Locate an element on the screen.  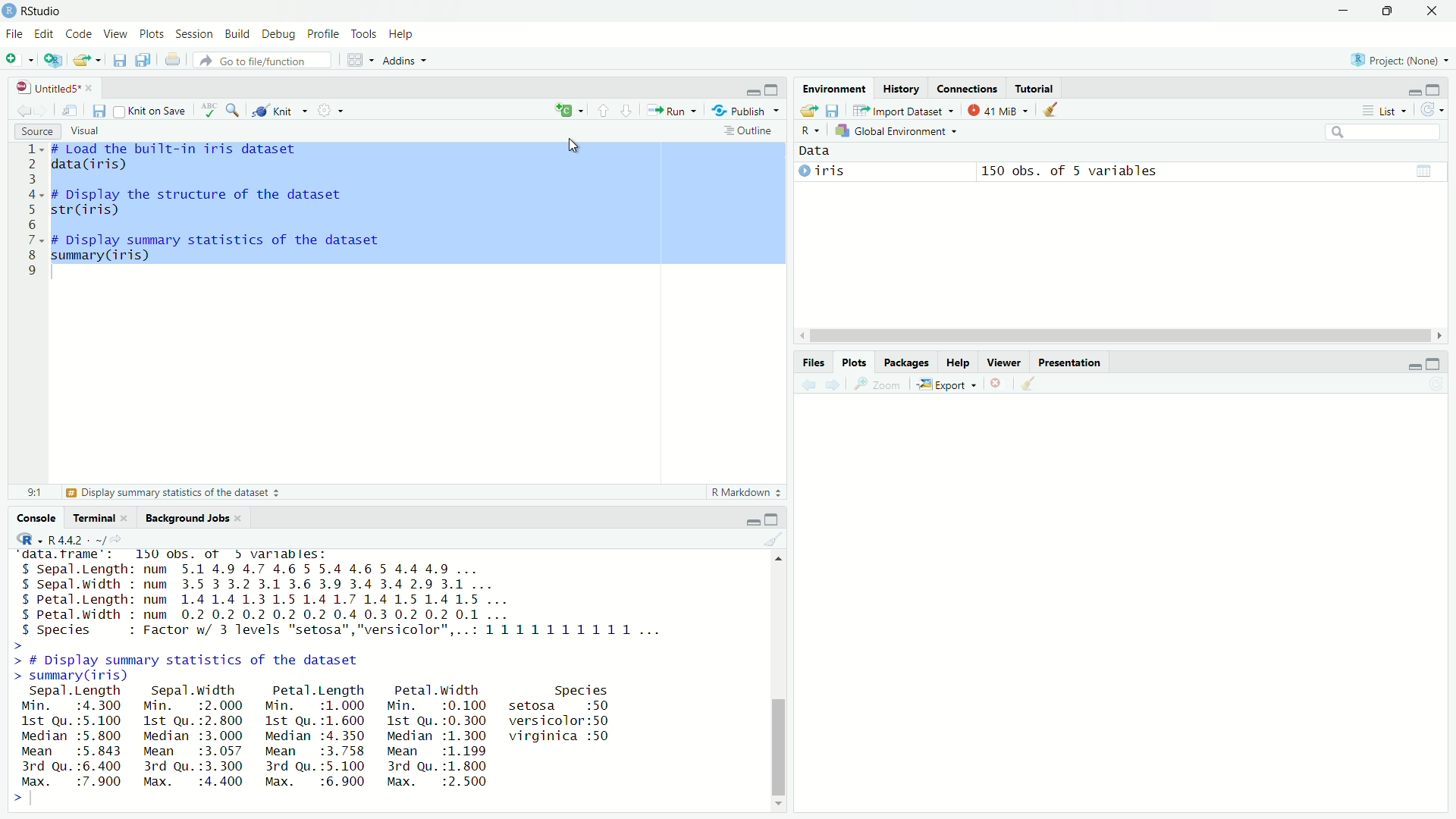
Source is located at coordinates (38, 131).